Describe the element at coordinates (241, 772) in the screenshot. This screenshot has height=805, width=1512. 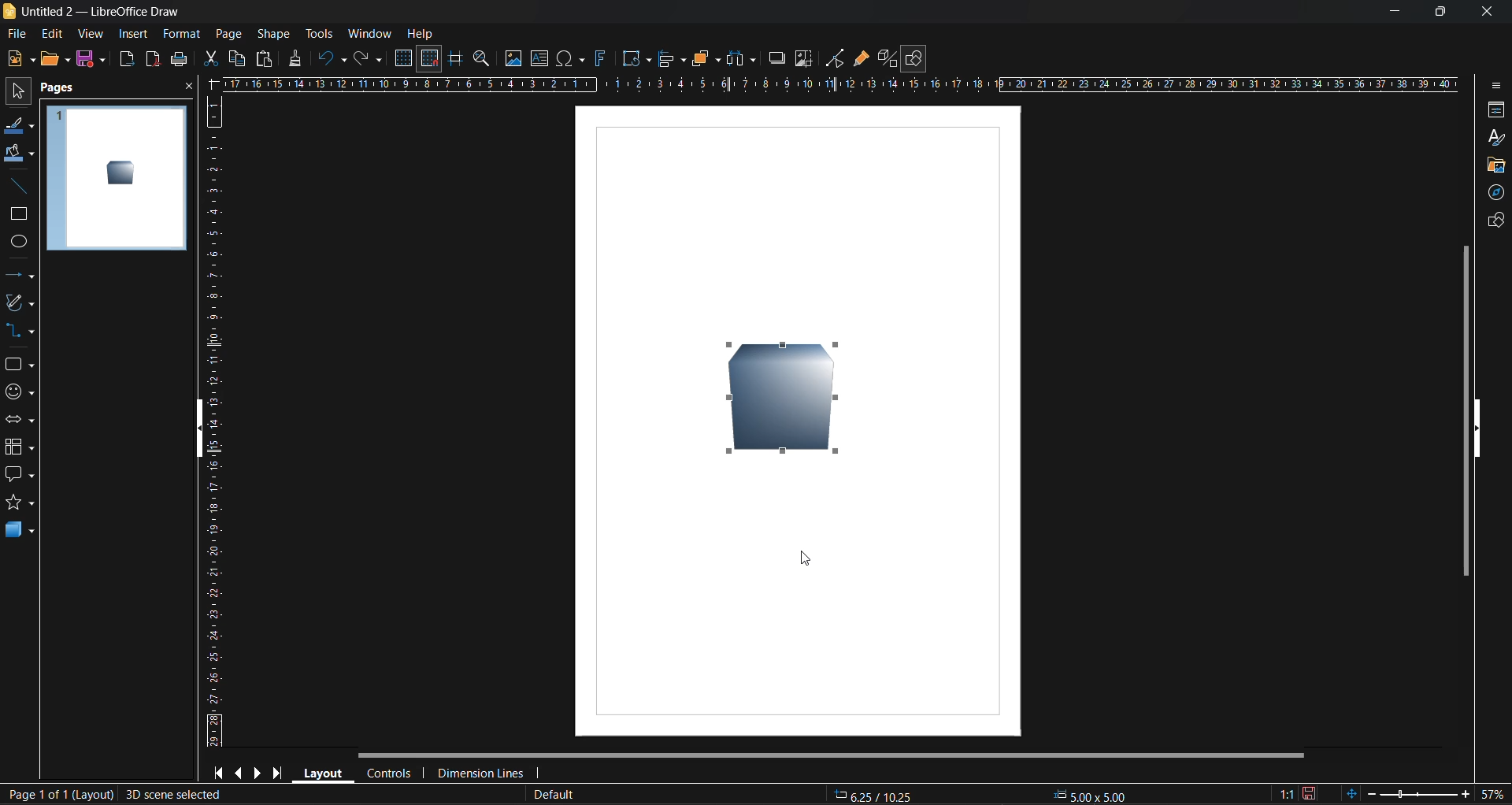
I see `previous` at that location.